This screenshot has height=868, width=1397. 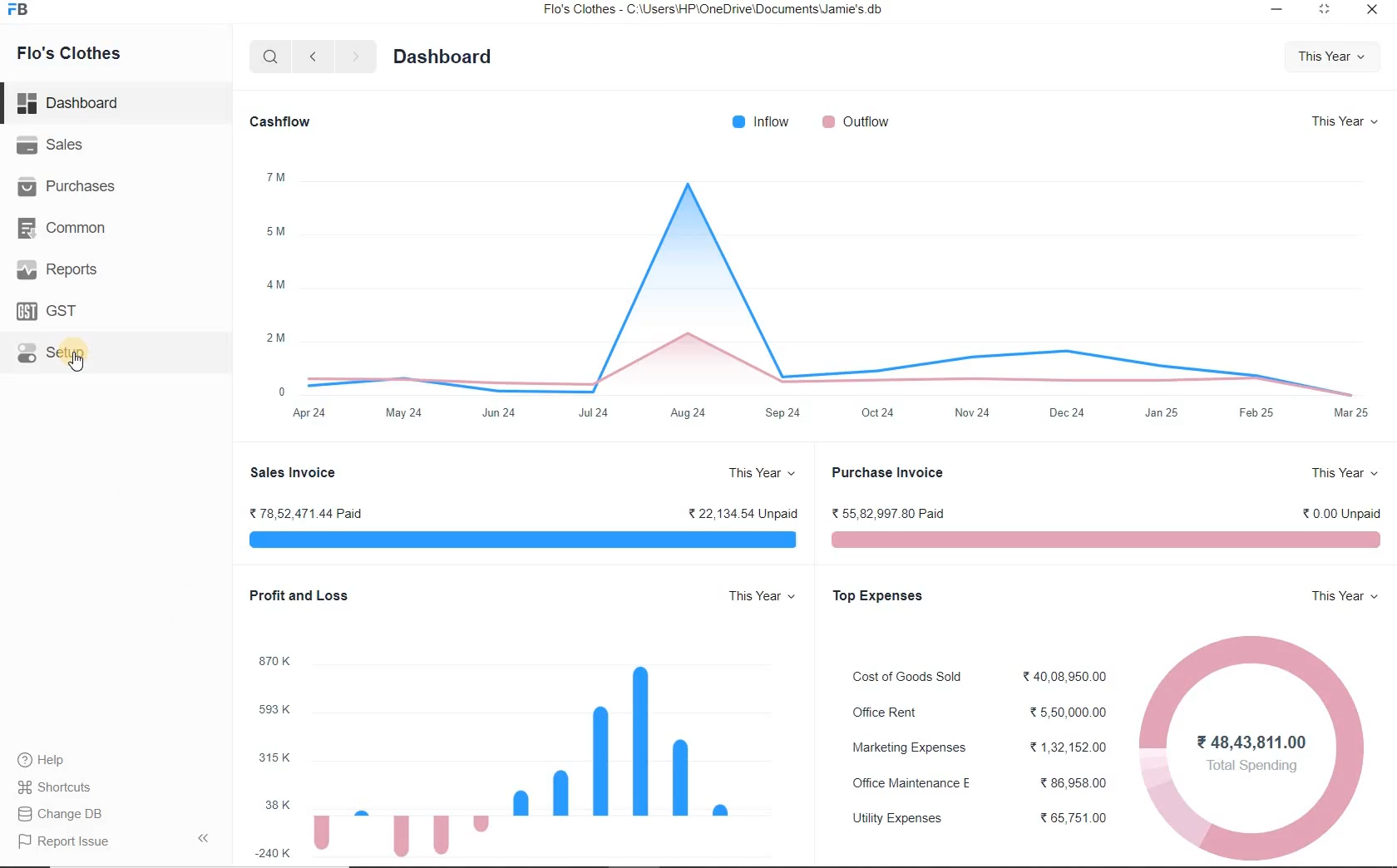 I want to click on 593K, so click(x=274, y=710).